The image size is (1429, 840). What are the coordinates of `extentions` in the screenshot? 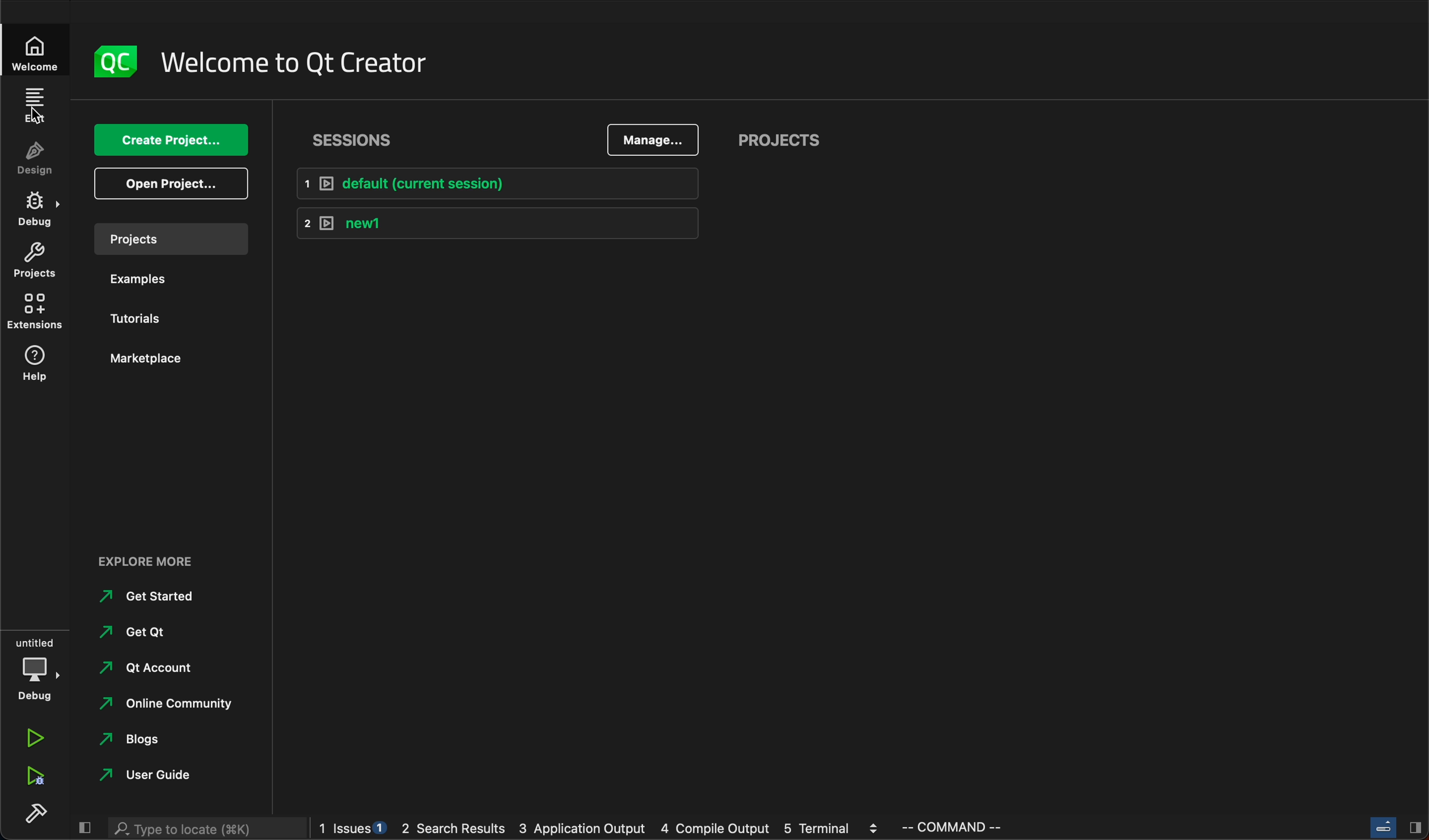 It's located at (35, 313).